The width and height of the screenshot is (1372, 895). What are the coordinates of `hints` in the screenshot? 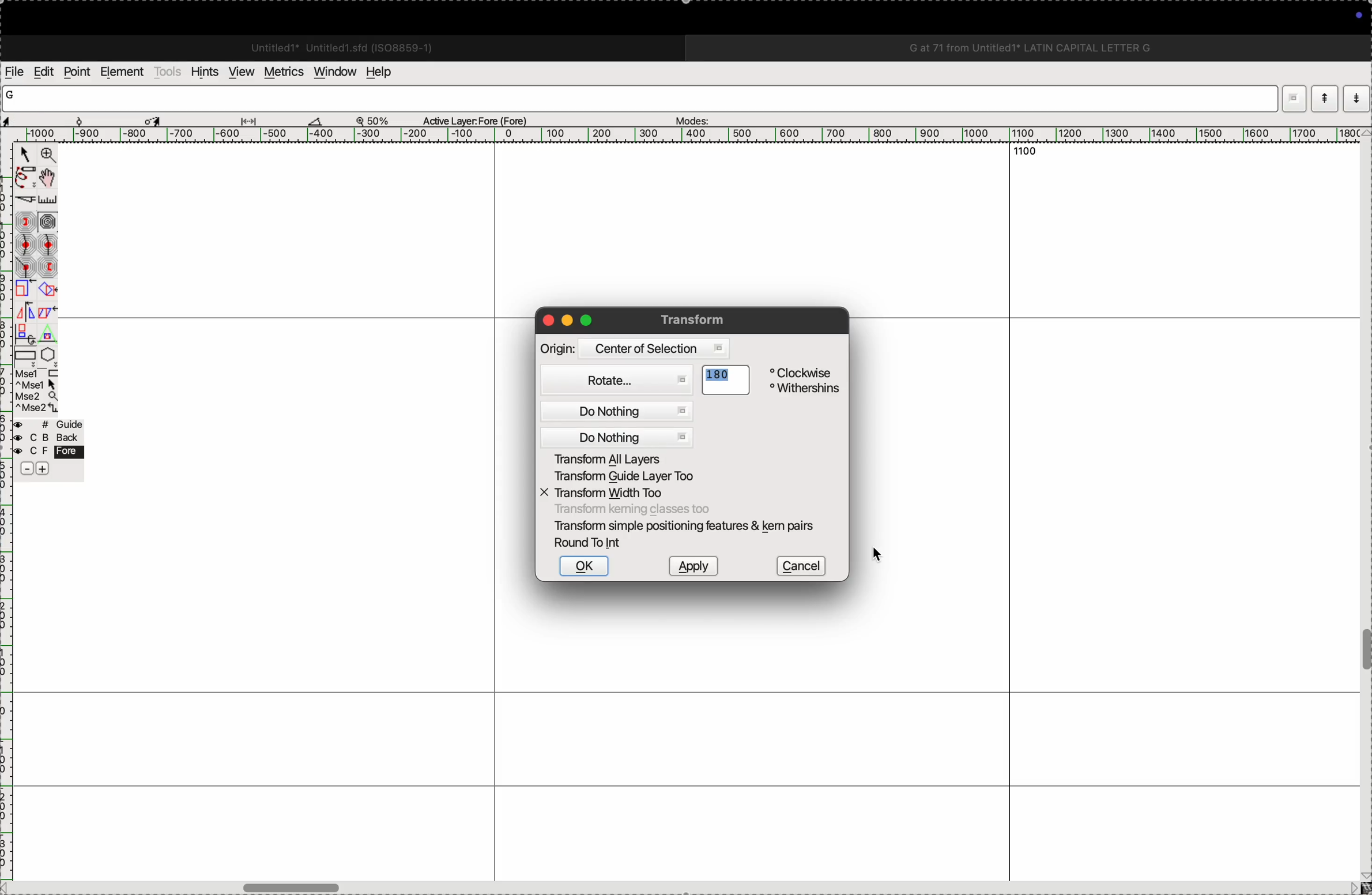 It's located at (205, 73).